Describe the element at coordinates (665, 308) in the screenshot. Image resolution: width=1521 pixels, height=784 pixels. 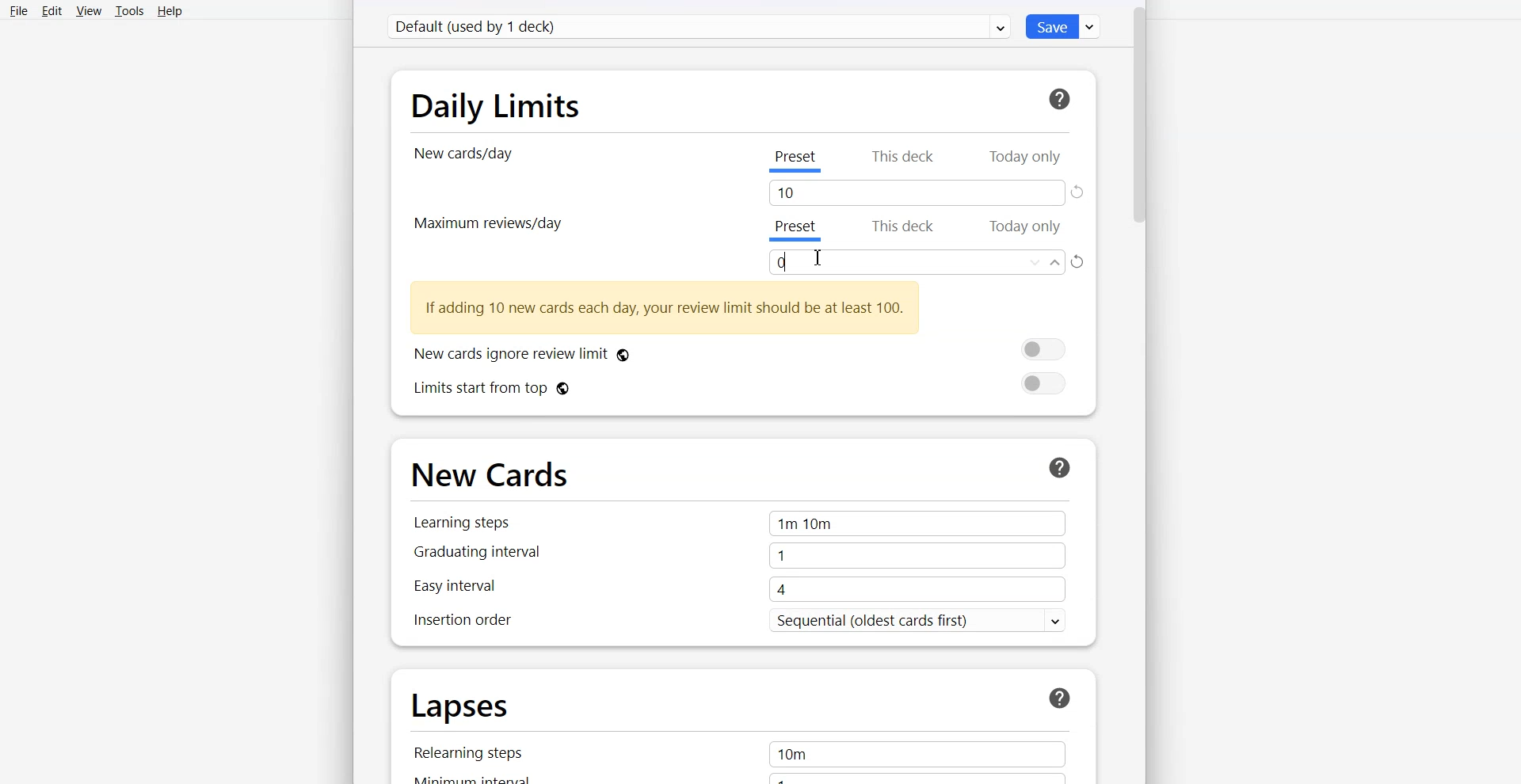
I see `Text` at that location.